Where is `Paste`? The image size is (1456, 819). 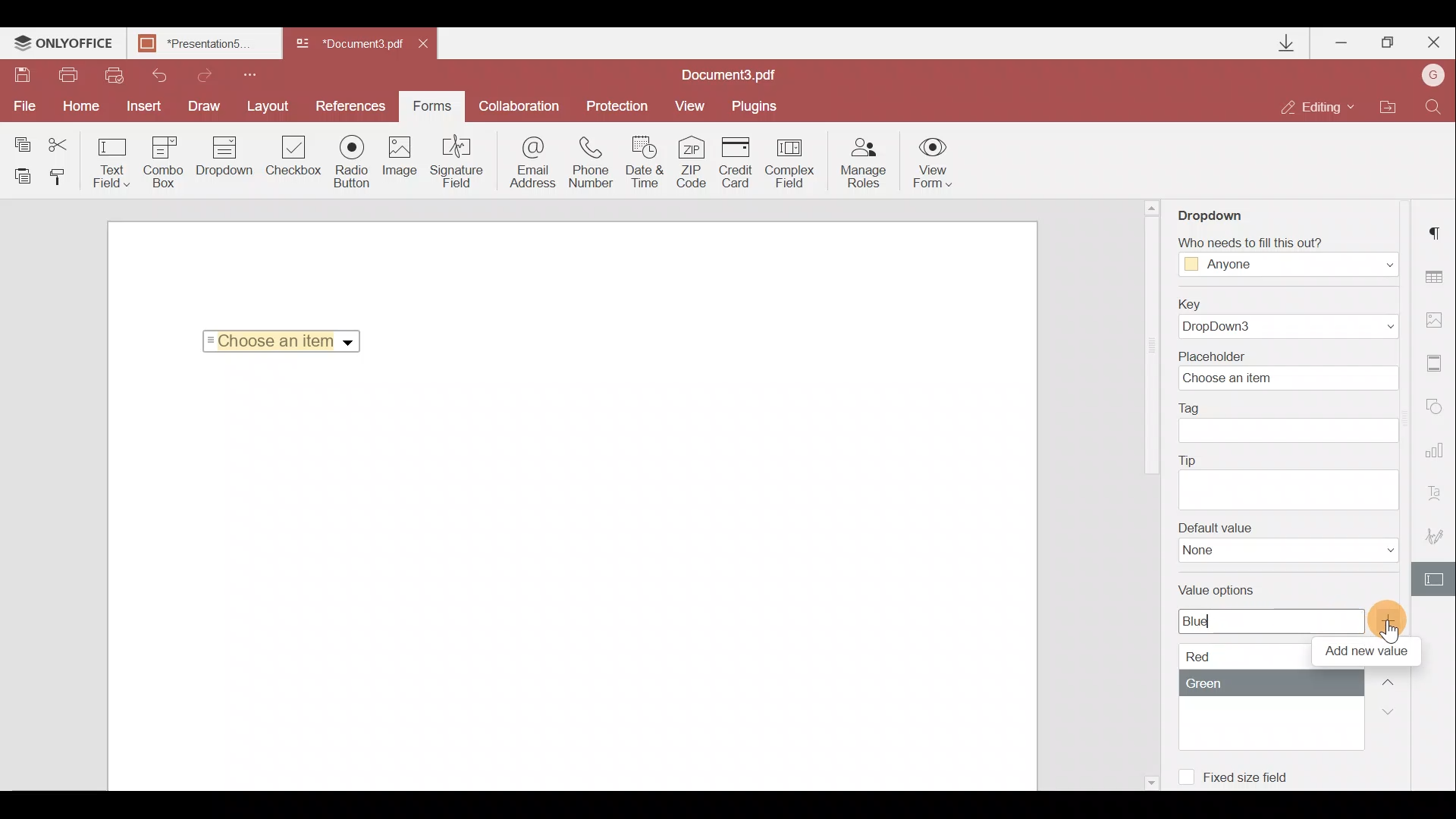
Paste is located at coordinates (21, 178).